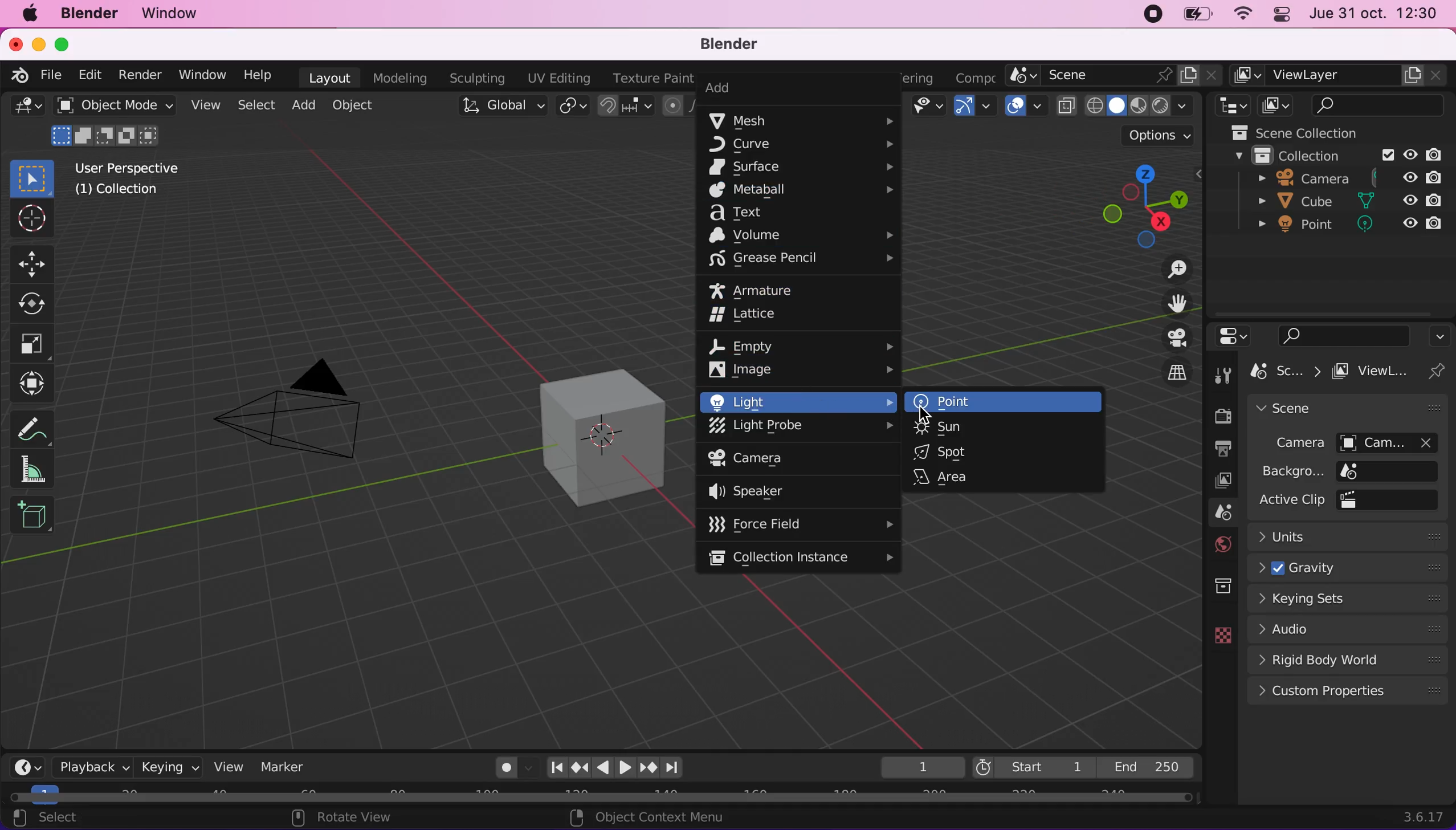 The height and width of the screenshot is (830, 1456). Describe the element at coordinates (1067, 108) in the screenshot. I see `toggle x ray` at that location.